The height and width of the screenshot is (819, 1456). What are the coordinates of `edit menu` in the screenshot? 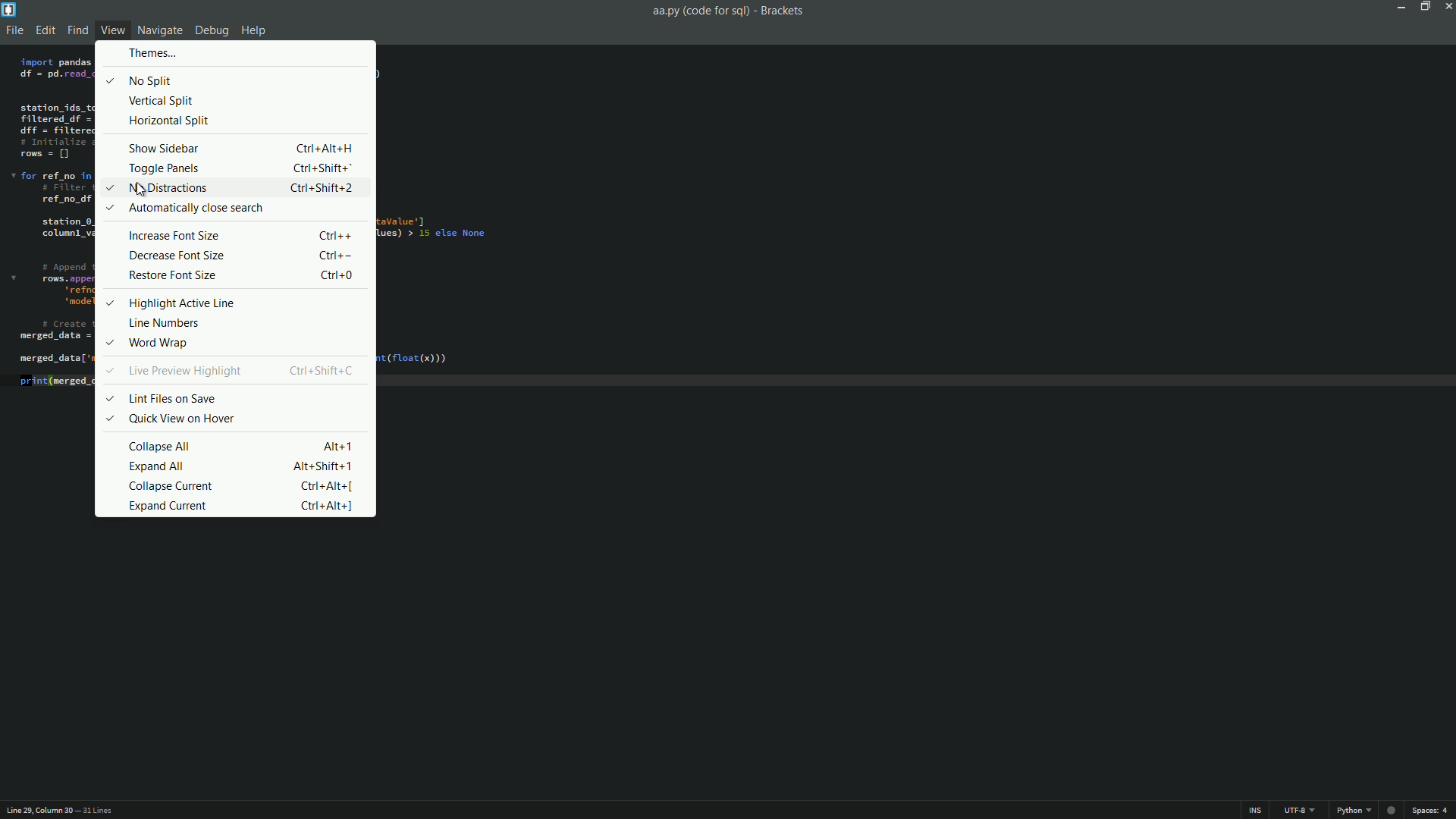 It's located at (45, 29).